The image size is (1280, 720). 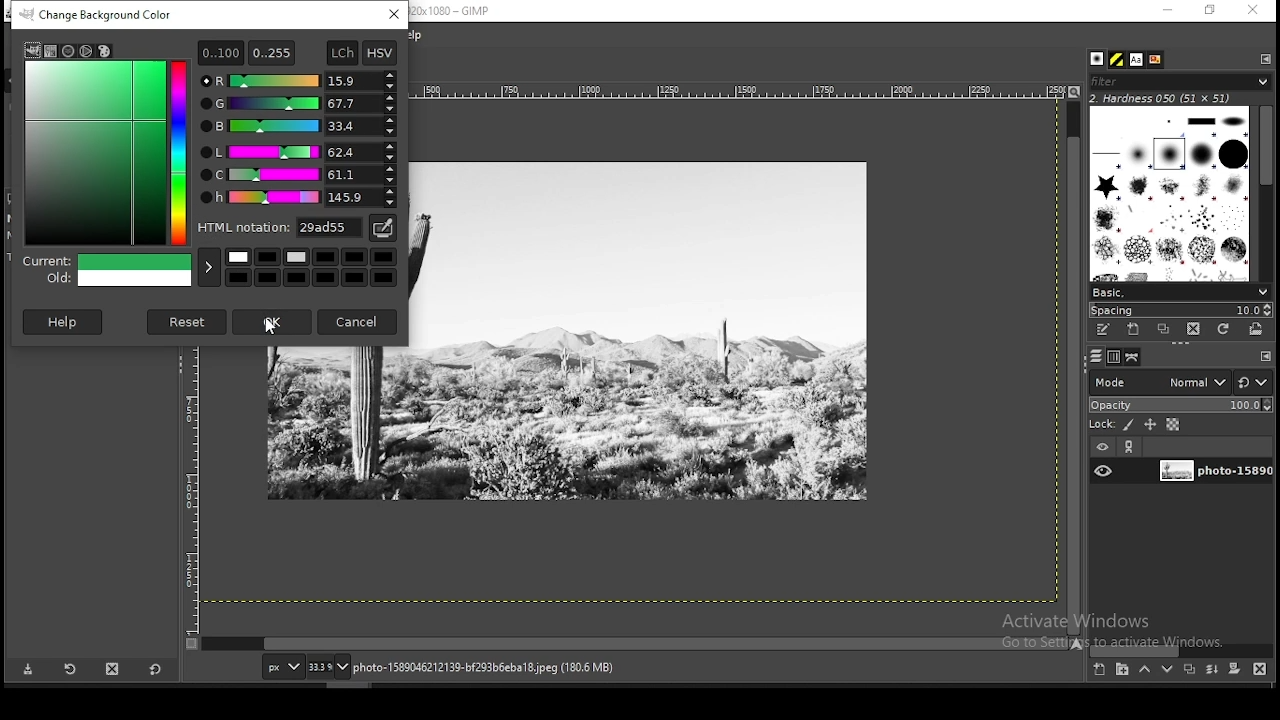 I want to click on wheel, so click(x=87, y=51).